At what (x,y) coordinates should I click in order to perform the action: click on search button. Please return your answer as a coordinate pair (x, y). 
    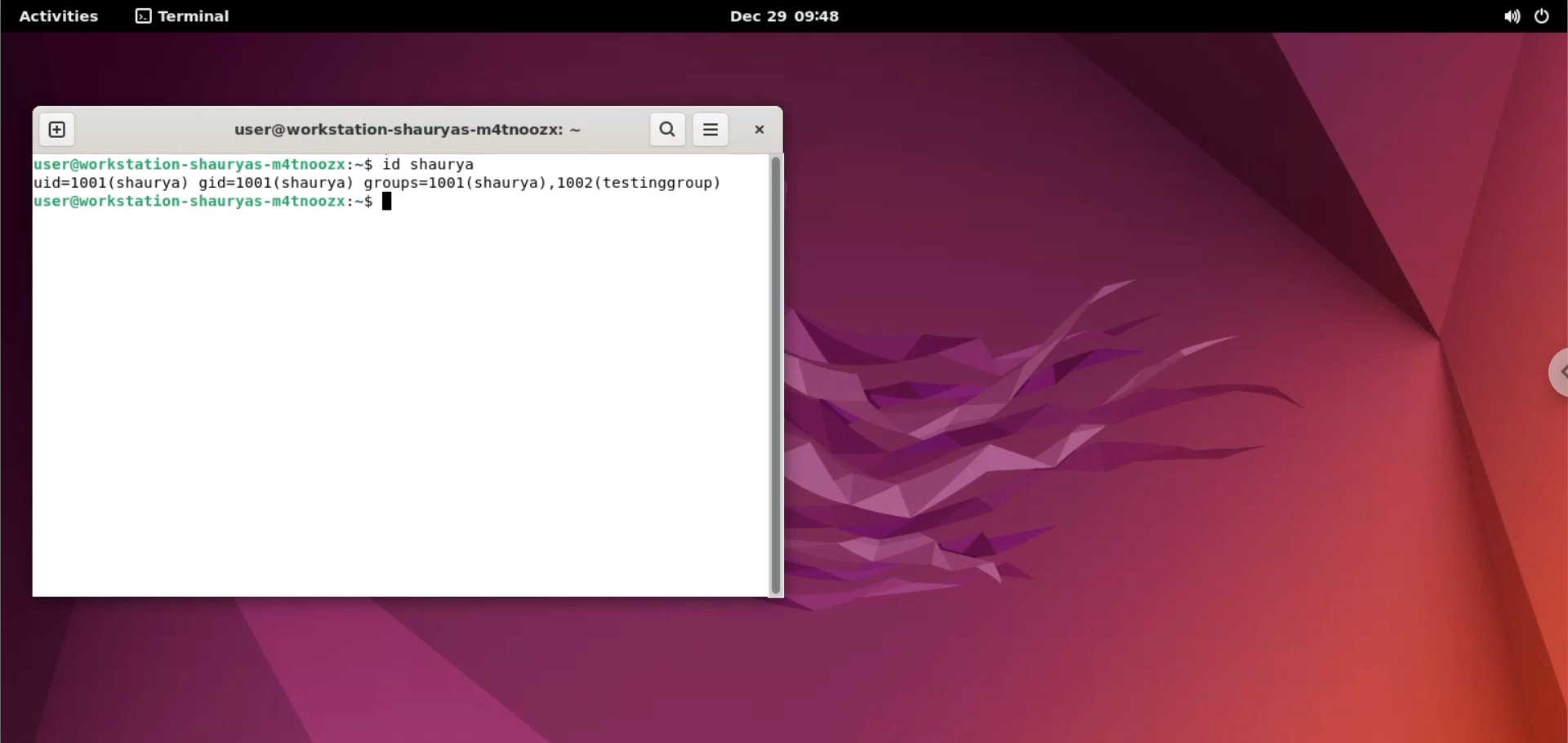
    Looking at the image, I should click on (669, 130).